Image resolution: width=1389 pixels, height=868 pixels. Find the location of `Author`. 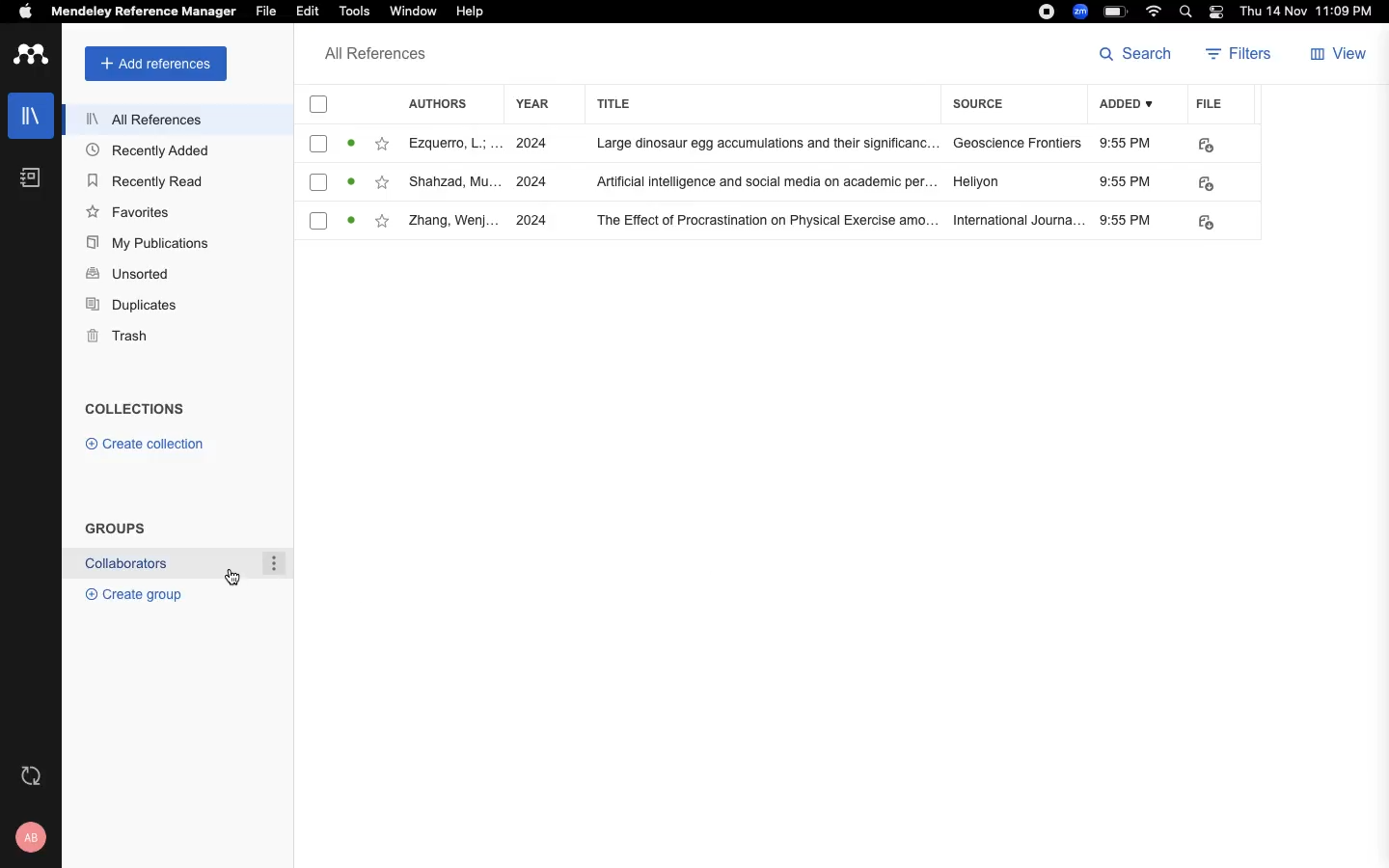

Author is located at coordinates (445, 145).